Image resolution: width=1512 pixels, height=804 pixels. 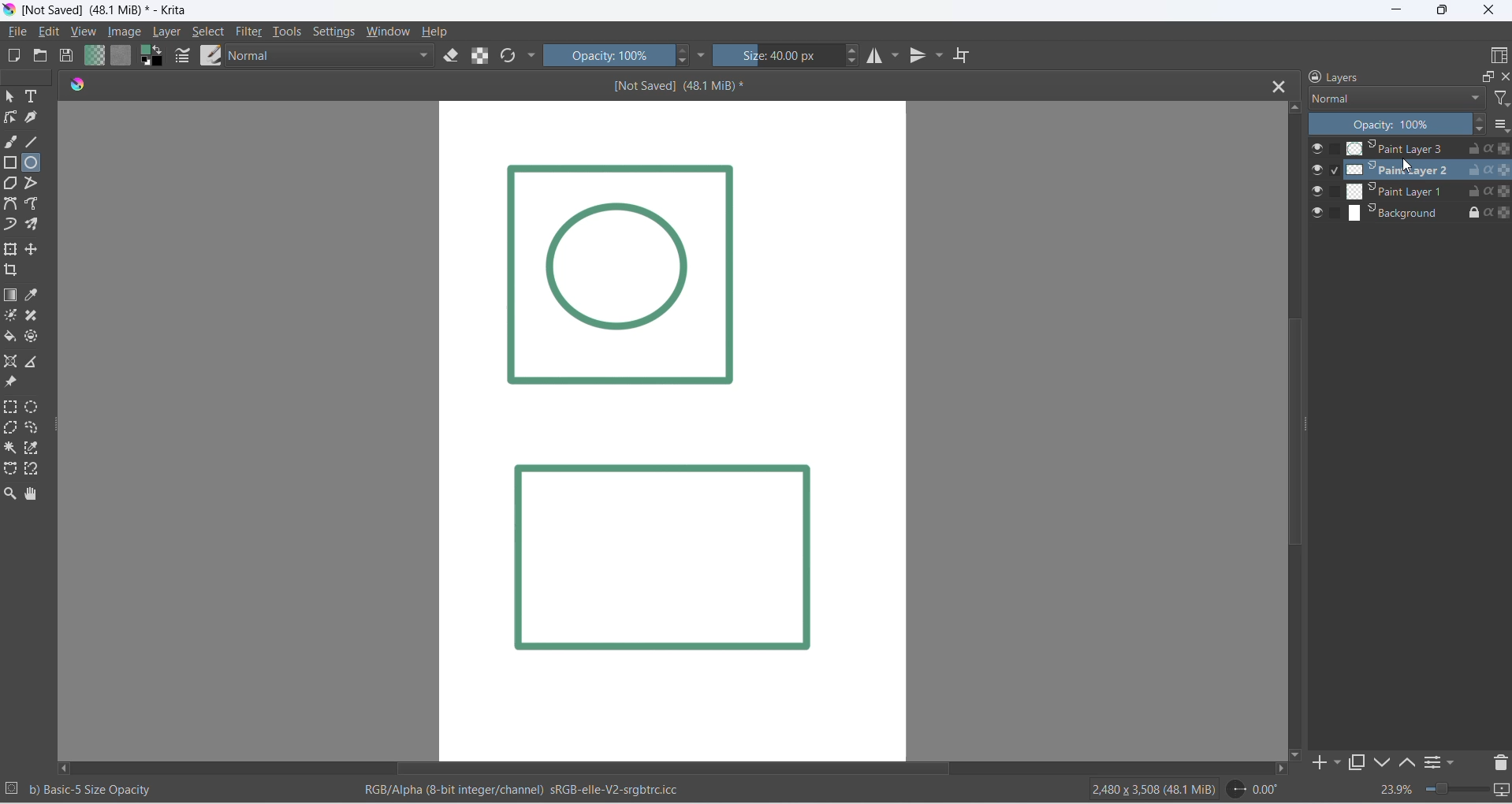 I want to click on dynamic brush tool, so click(x=13, y=226).